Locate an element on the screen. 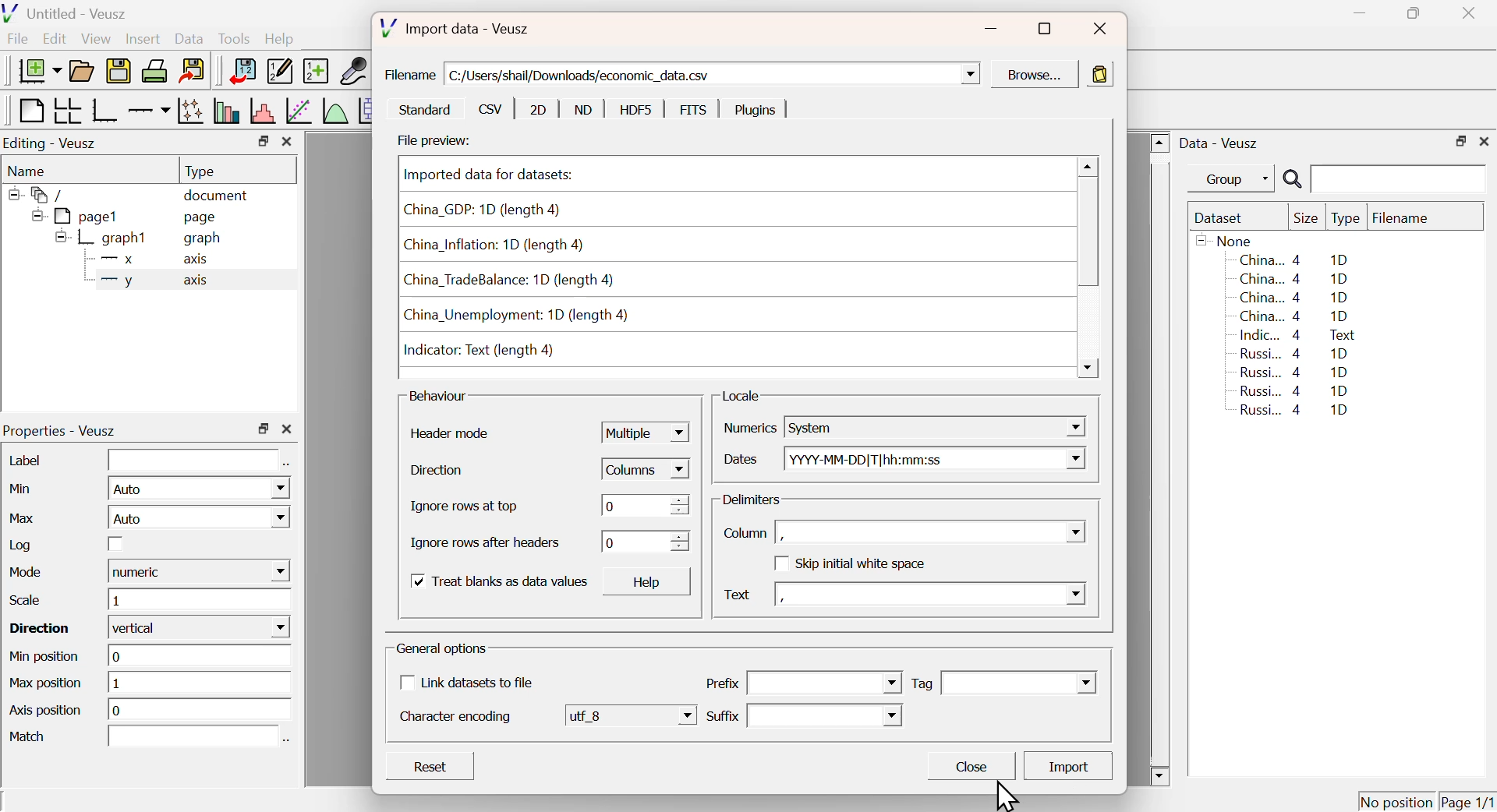 Image resolution: width=1497 pixels, height=812 pixels. Cursor is located at coordinates (1007, 794).